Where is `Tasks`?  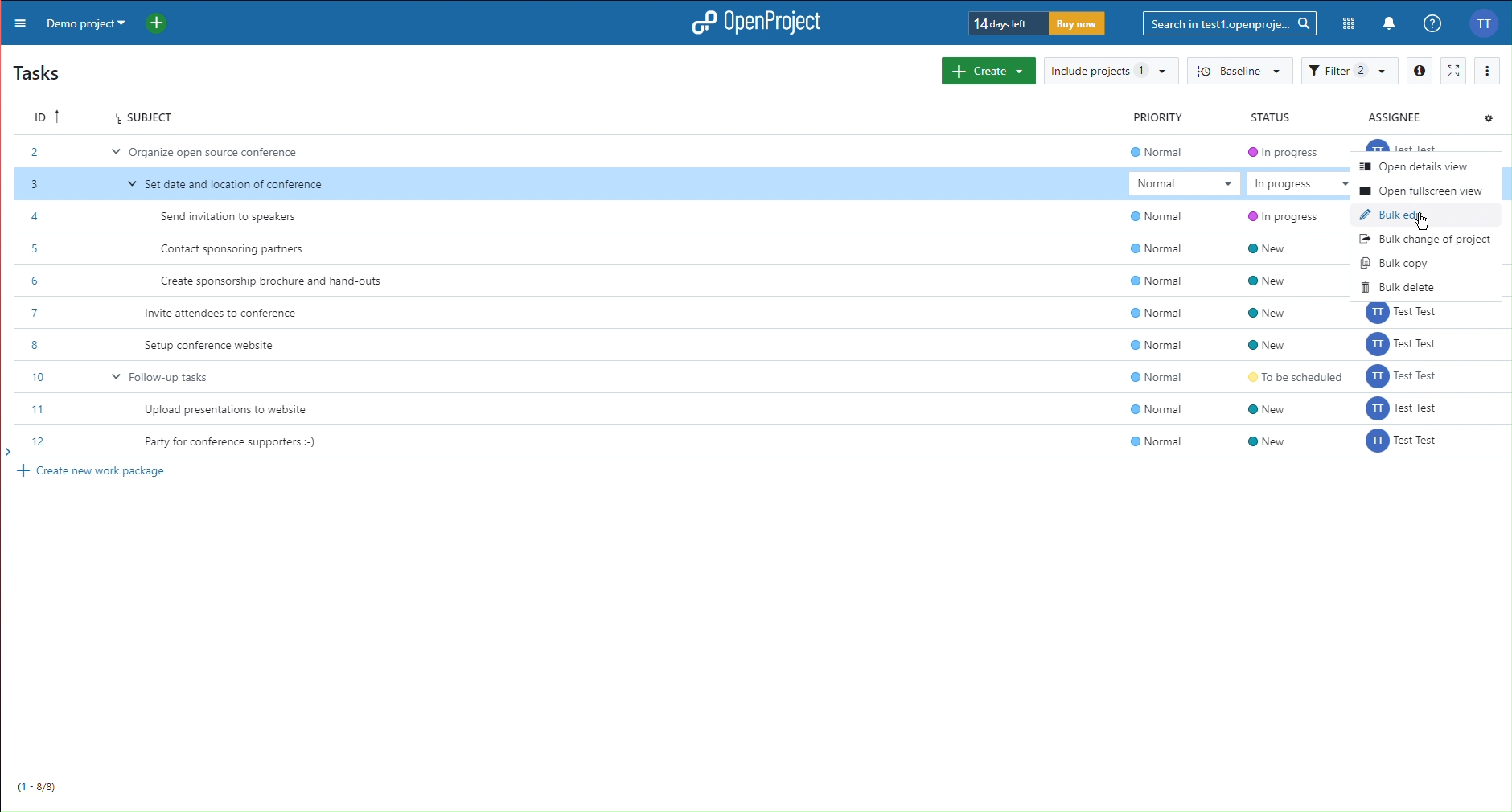 Tasks is located at coordinates (40, 71).